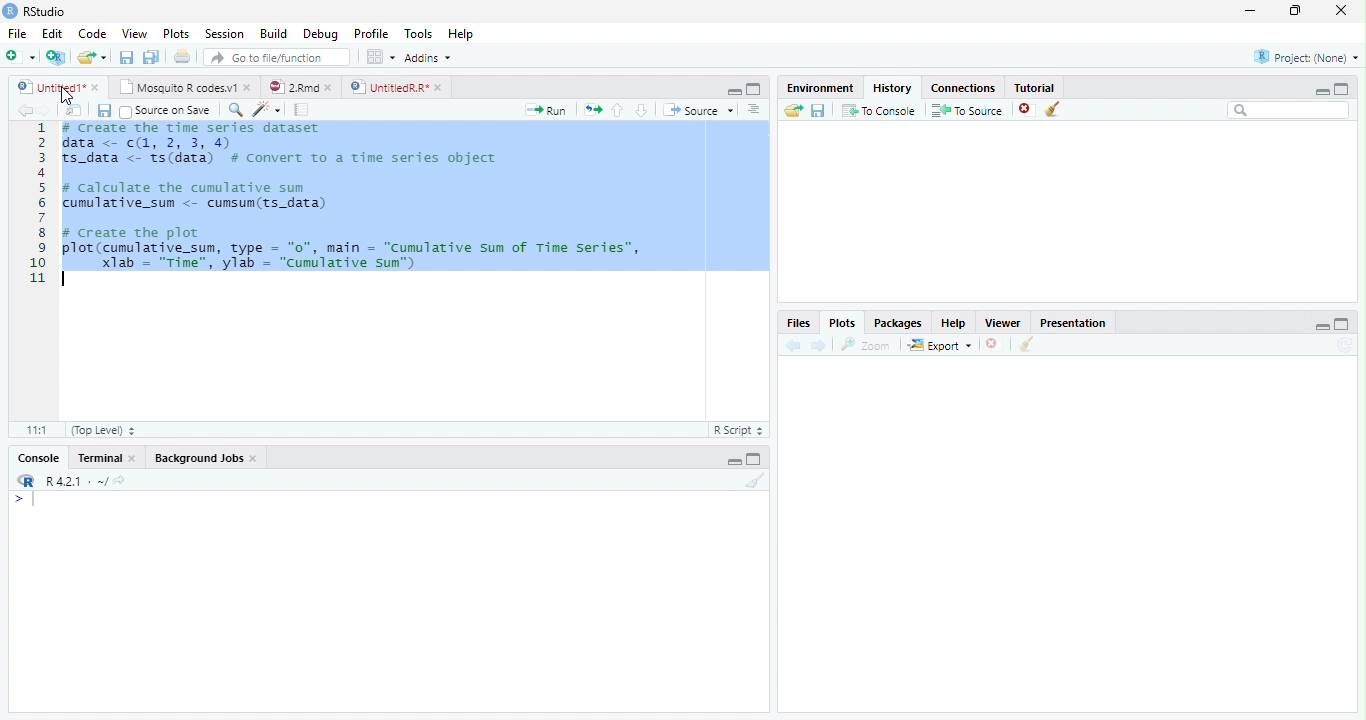  What do you see at coordinates (1036, 86) in the screenshot?
I see `Tutorial` at bounding box center [1036, 86].